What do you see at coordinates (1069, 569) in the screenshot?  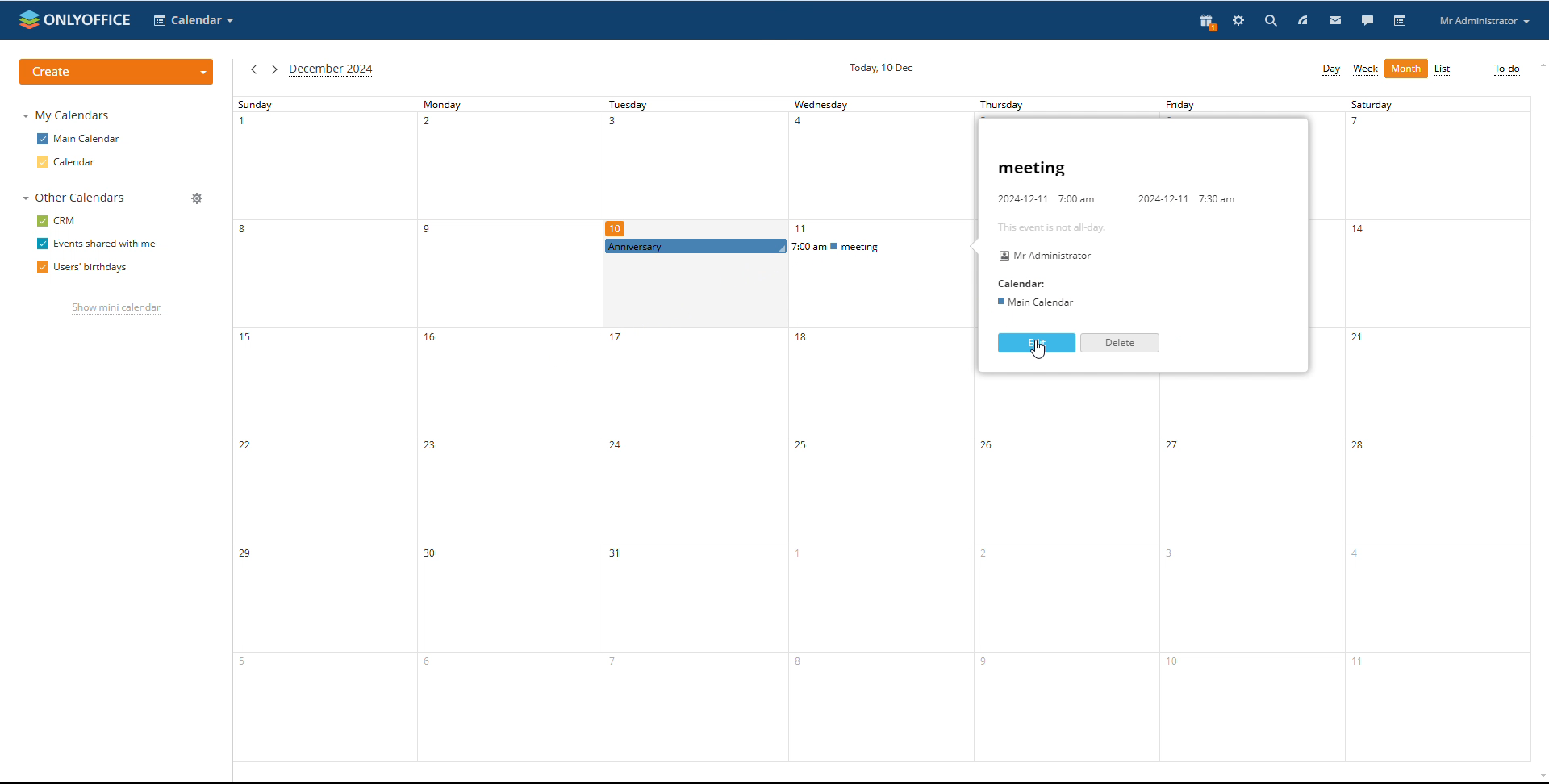 I see `Thursday` at bounding box center [1069, 569].